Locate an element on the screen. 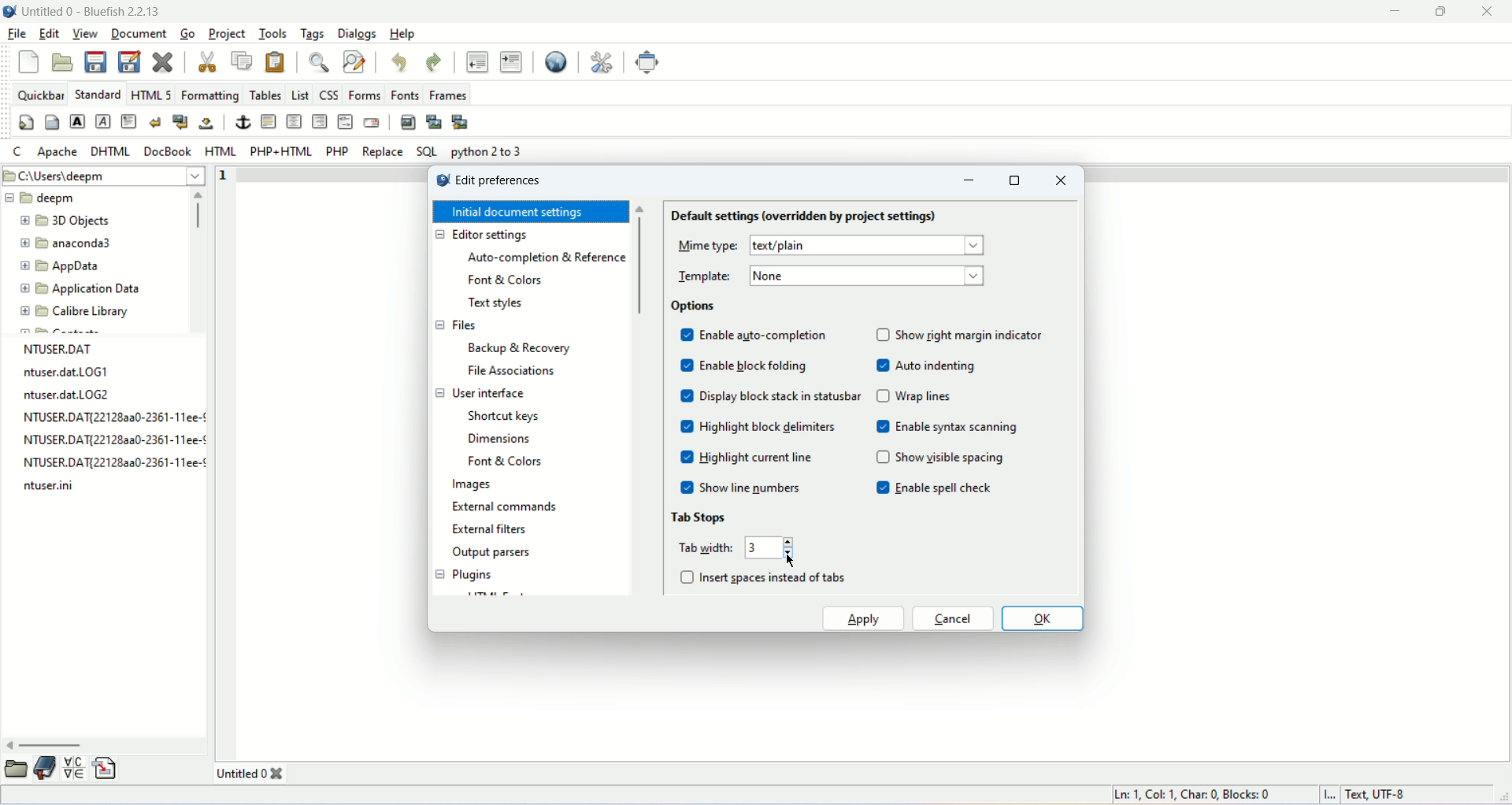  images is located at coordinates (471, 487).